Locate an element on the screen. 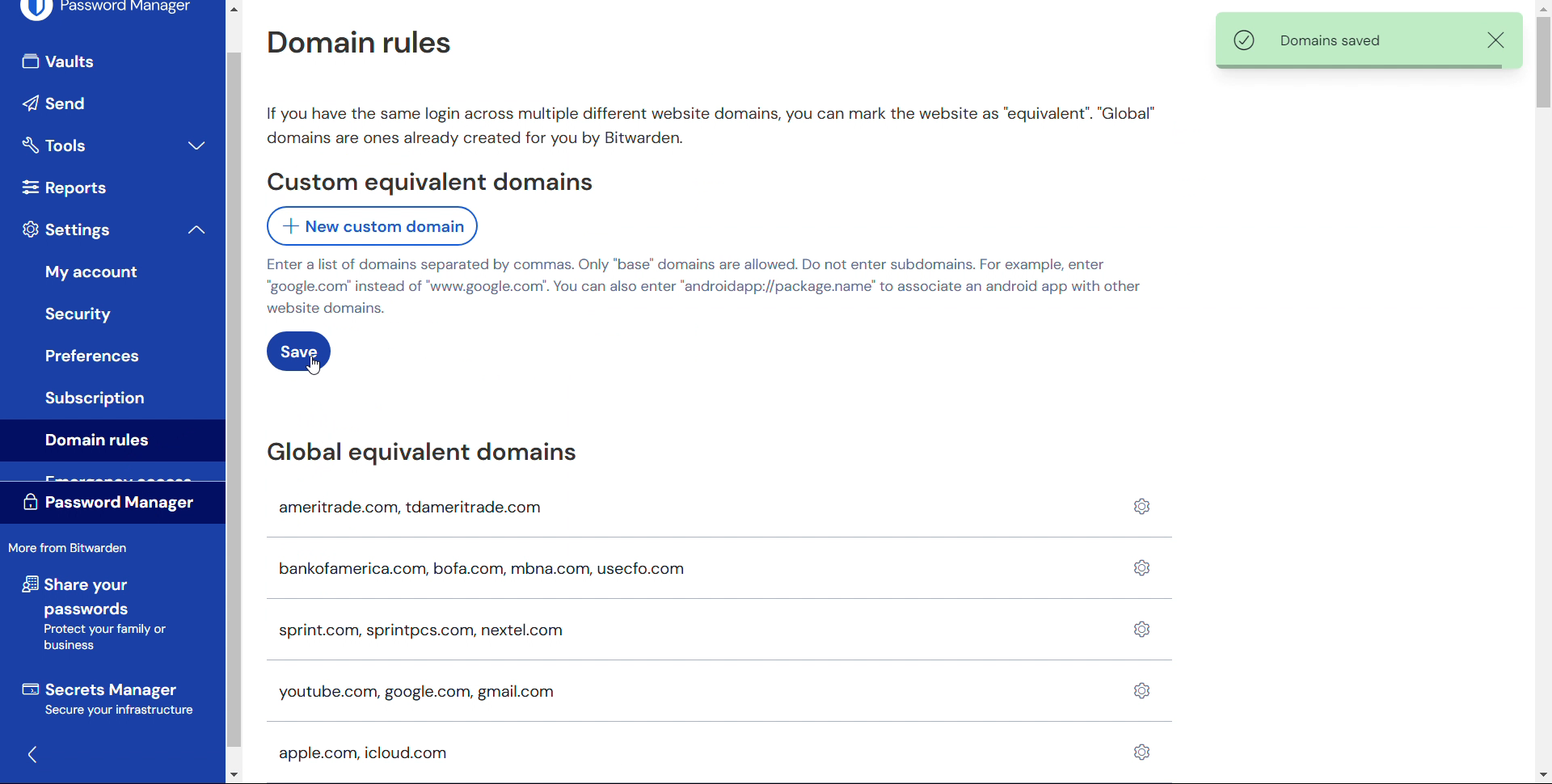 The width and height of the screenshot is (1552, 784). Global equivalent domains  is located at coordinates (420, 453).